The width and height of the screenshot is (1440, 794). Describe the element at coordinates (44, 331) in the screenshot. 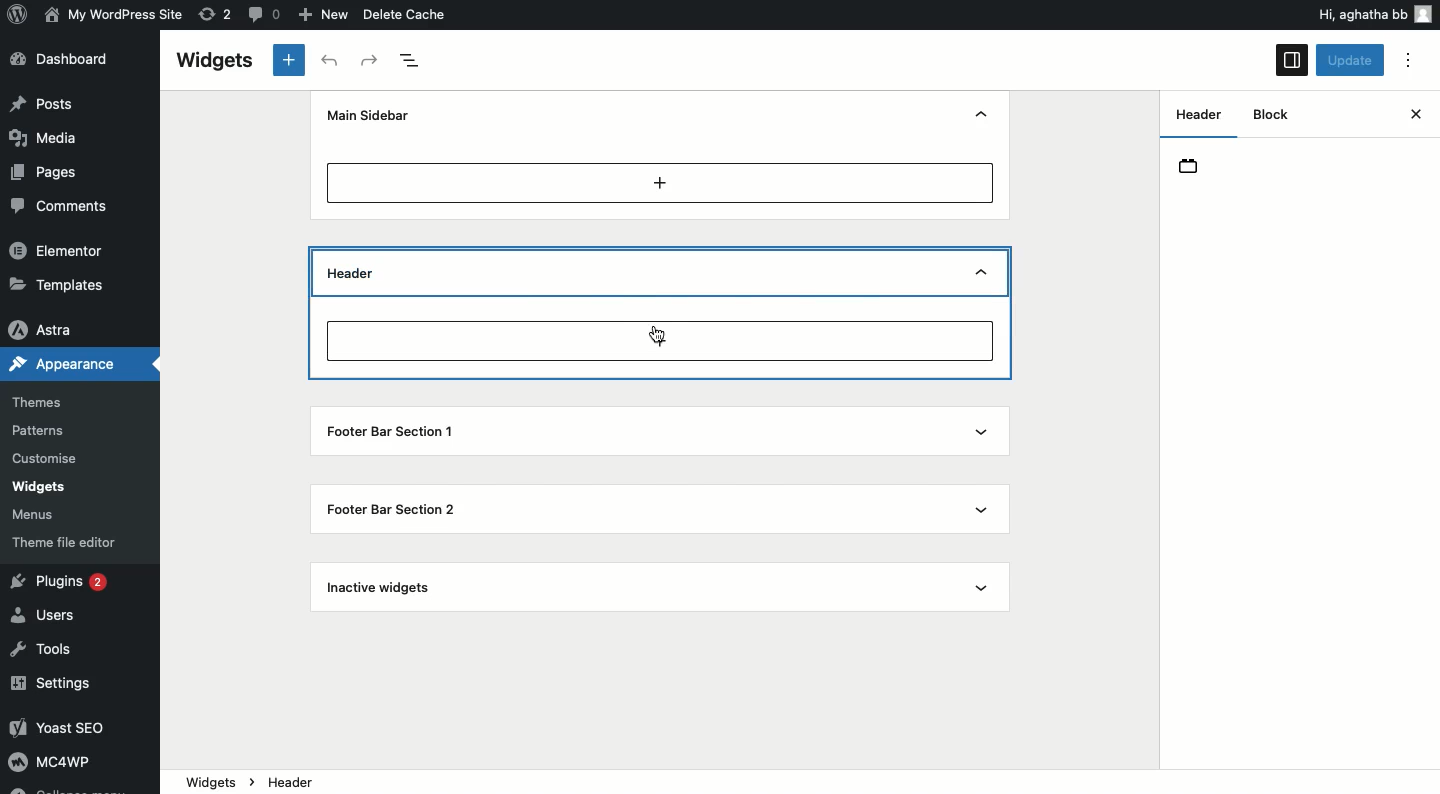

I see `Astra` at that location.